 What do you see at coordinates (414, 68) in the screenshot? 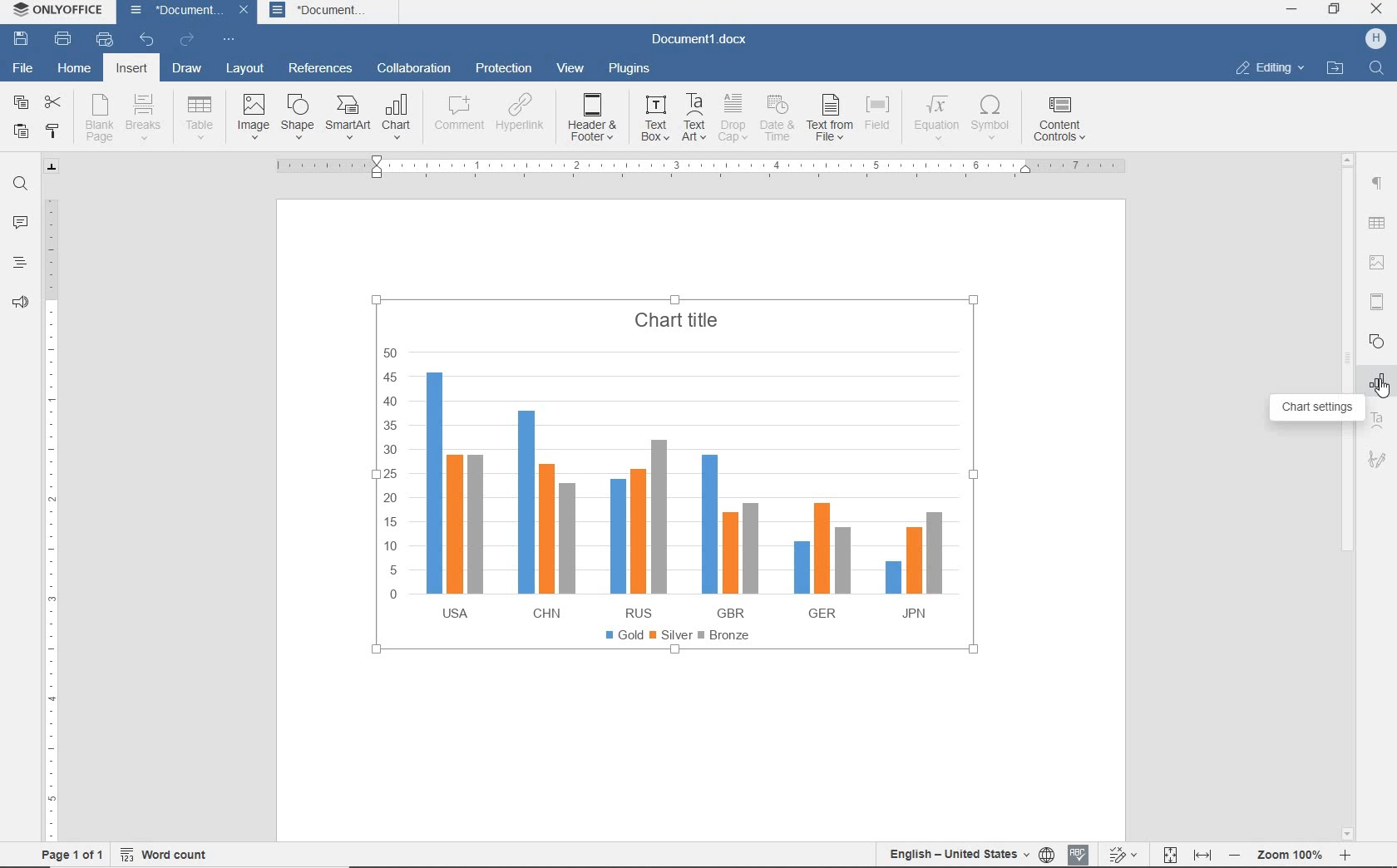
I see `collaboration` at bounding box center [414, 68].